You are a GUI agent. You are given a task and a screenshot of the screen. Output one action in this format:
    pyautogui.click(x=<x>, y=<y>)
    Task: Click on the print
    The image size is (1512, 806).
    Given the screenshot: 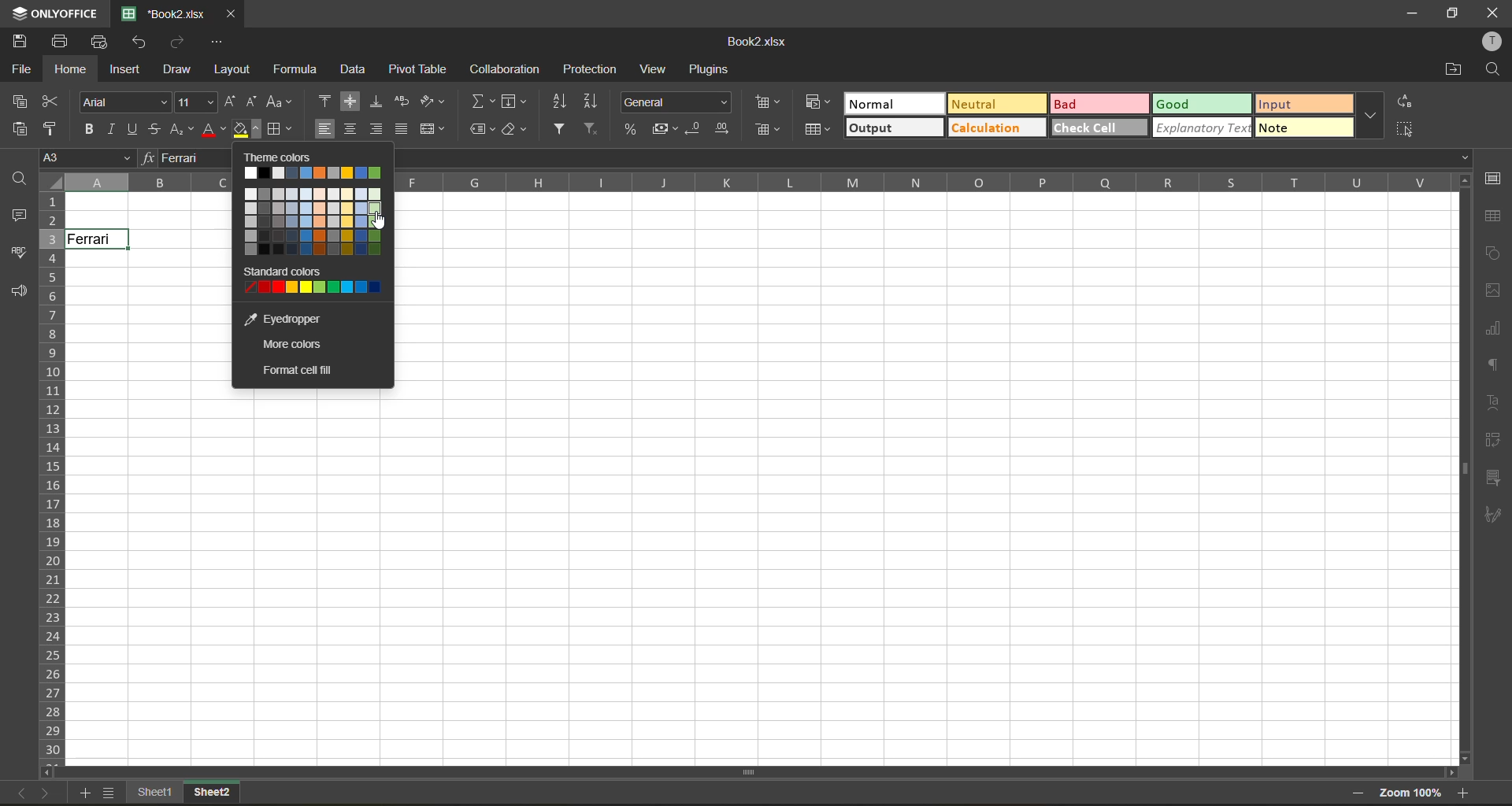 What is the action you would take?
    pyautogui.click(x=63, y=41)
    